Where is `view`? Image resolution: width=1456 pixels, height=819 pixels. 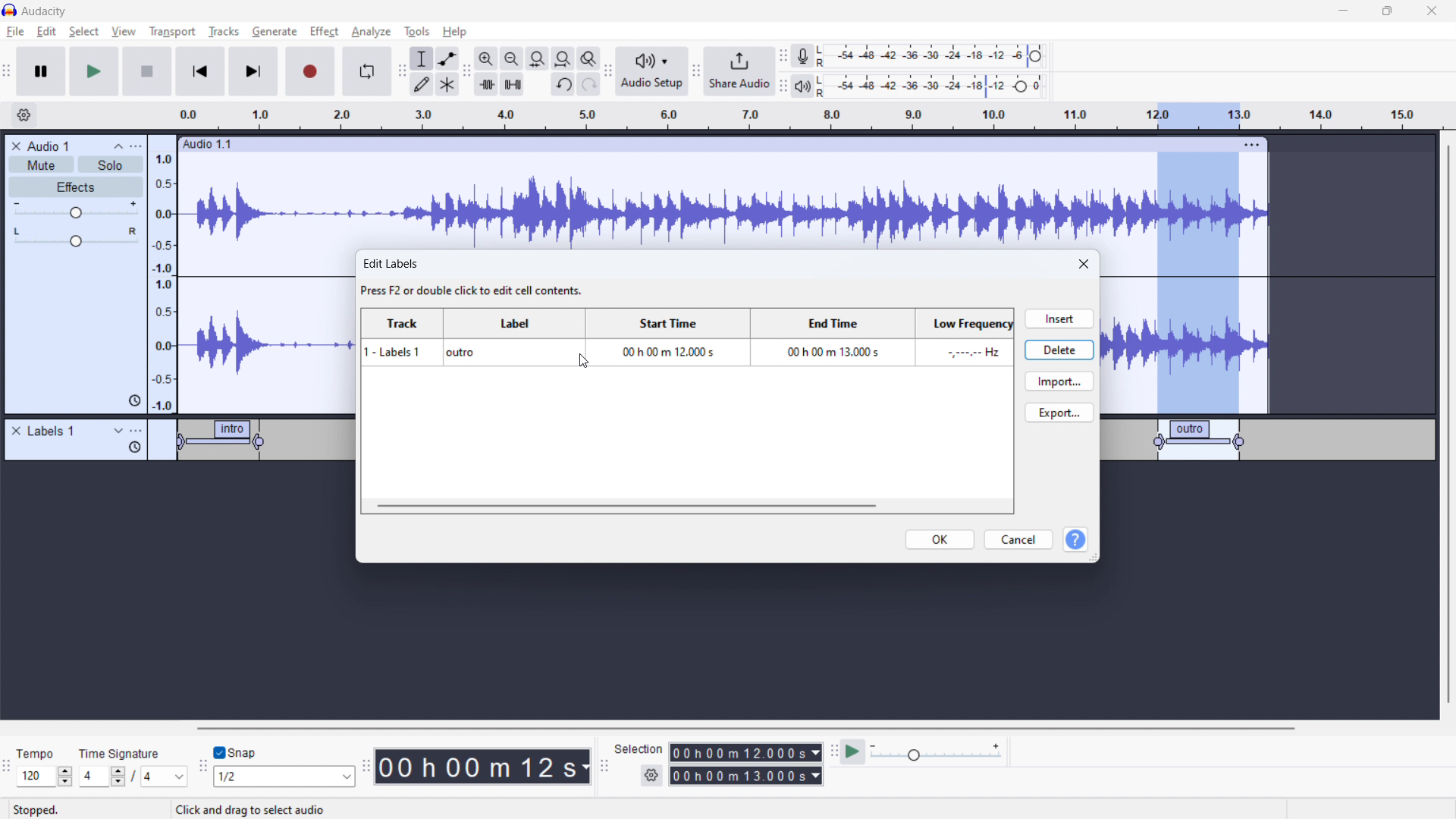 view is located at coordinates (124, 31).